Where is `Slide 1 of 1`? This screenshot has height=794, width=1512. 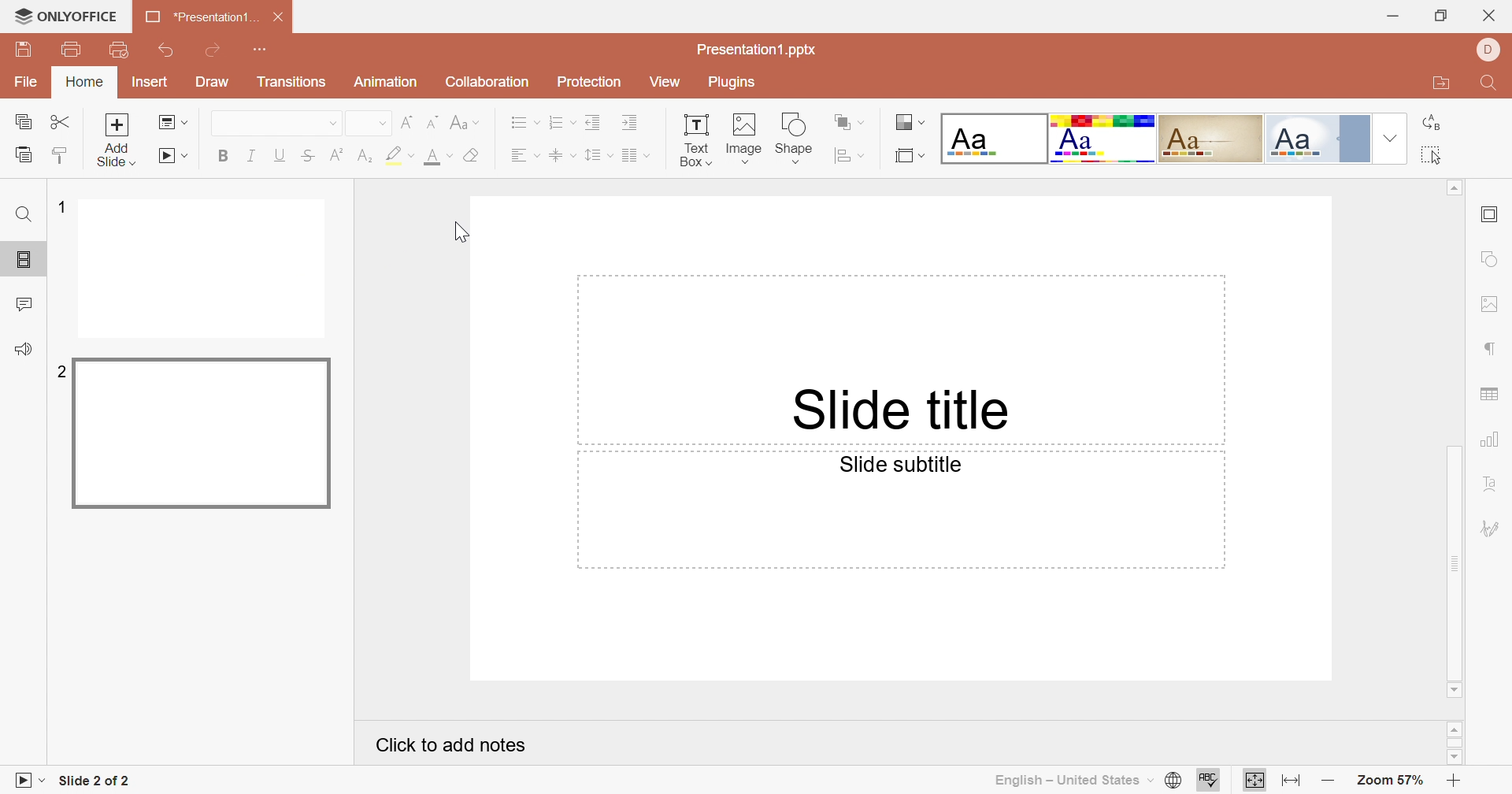 Slide 1 of 1 is located at coordinates (98, 781).